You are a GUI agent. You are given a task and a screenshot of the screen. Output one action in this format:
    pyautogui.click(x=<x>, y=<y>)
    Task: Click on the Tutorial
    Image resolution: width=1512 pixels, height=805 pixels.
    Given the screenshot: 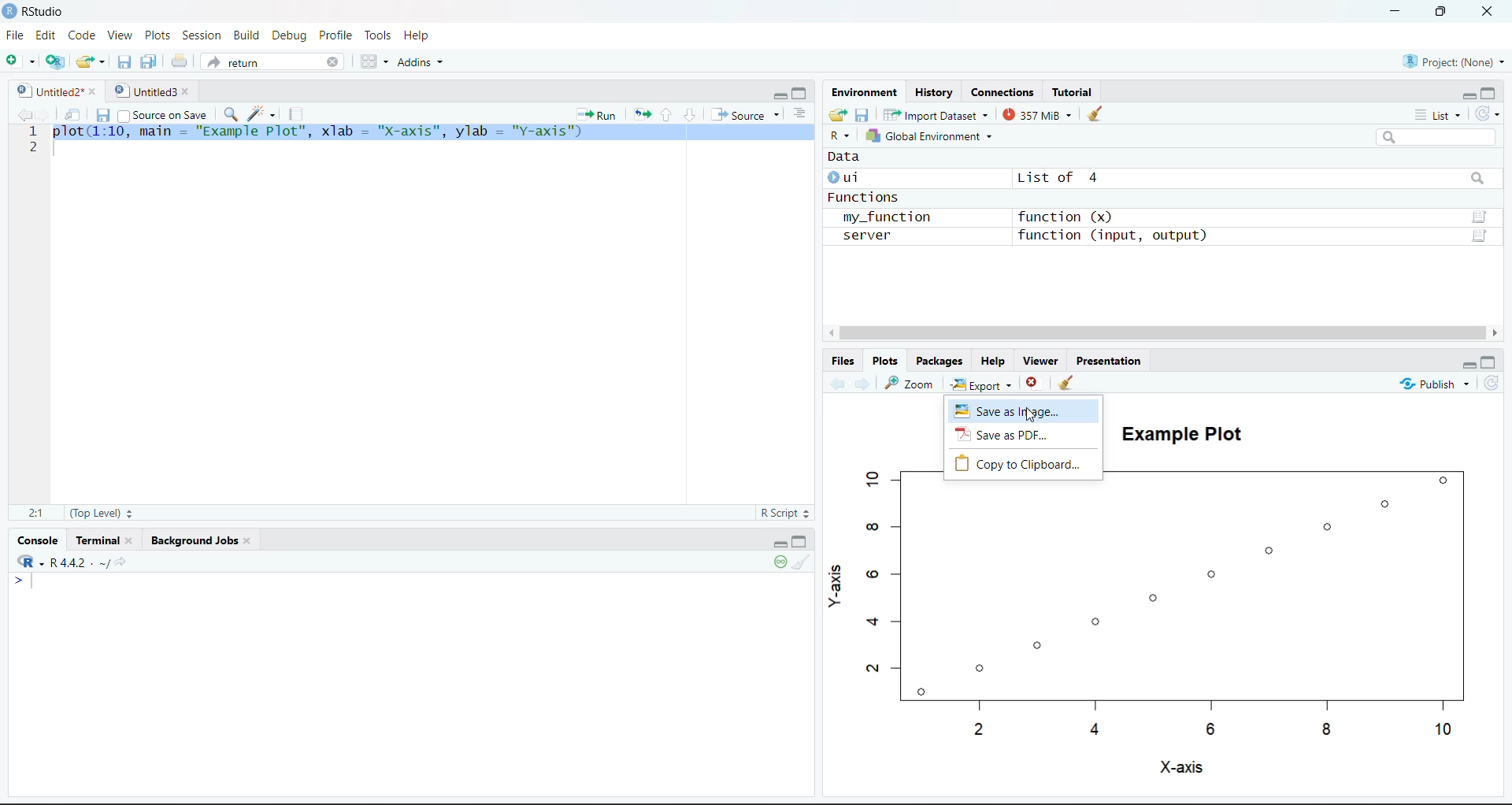 What is the action you would take?
    pyautogui.click(x=1073, y=91)
    